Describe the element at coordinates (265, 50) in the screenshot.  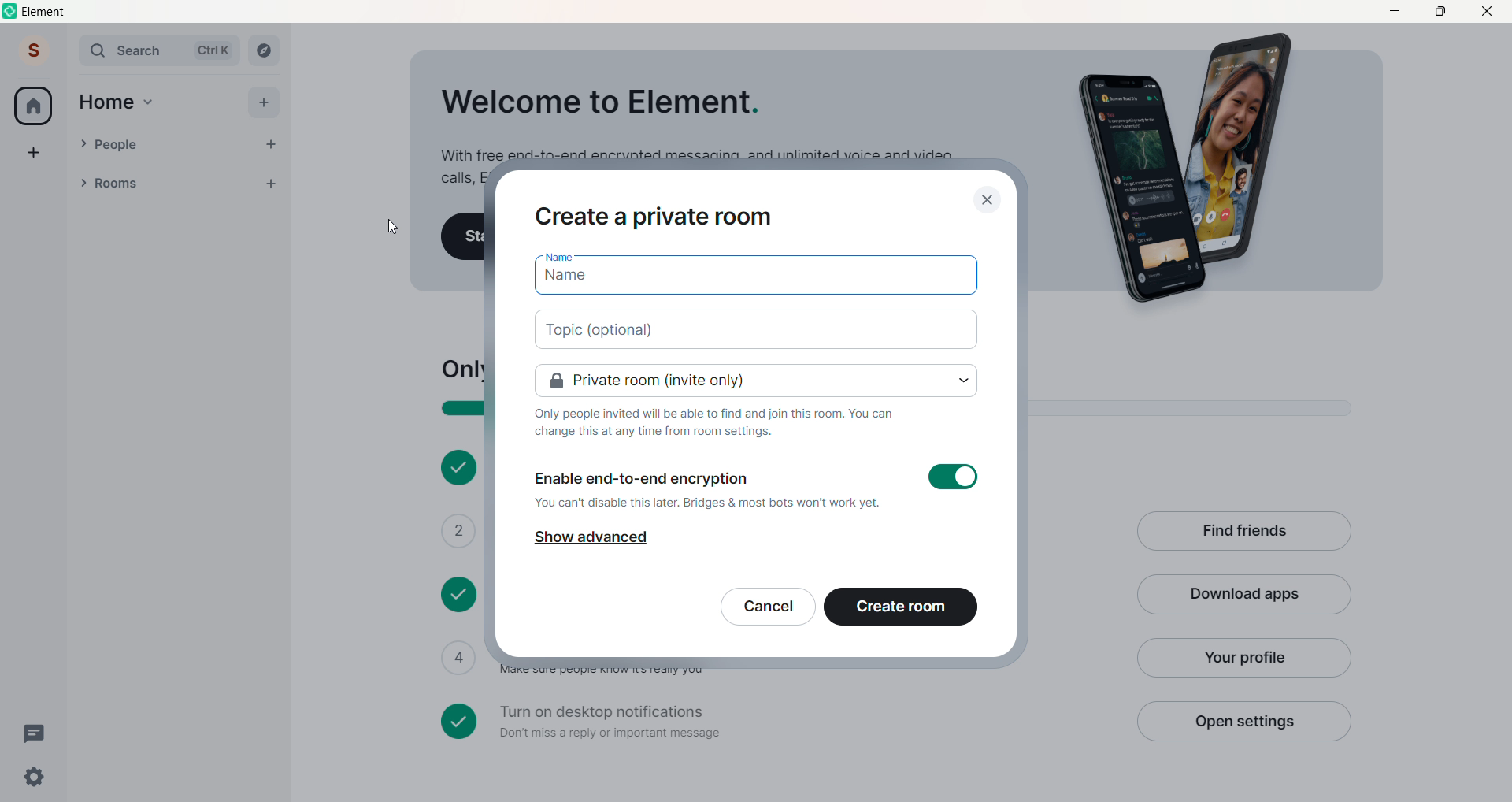
I see `Explore Rooms` at that location.